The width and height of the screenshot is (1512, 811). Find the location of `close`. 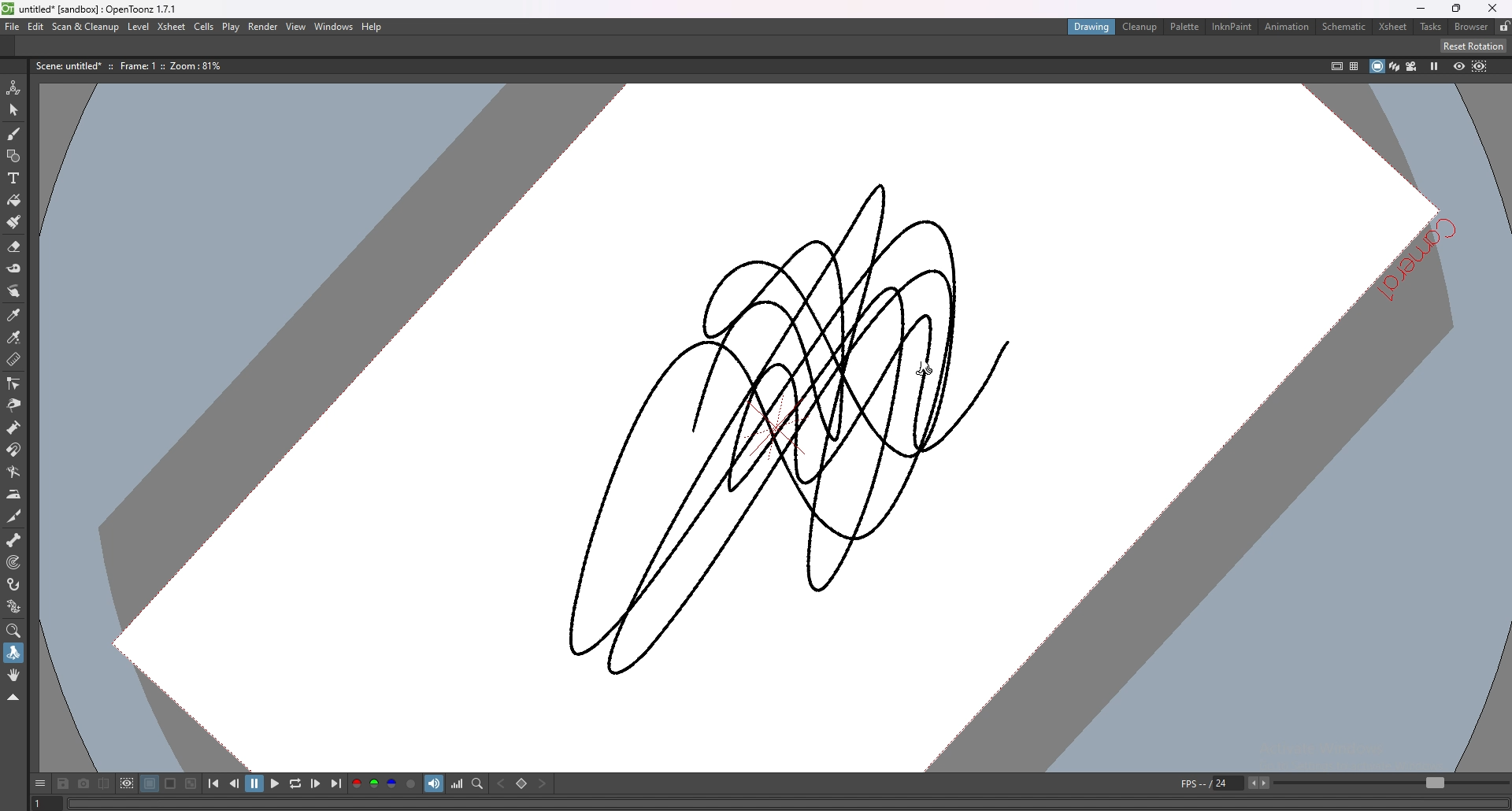

close is located at coordinates (1495, 8).